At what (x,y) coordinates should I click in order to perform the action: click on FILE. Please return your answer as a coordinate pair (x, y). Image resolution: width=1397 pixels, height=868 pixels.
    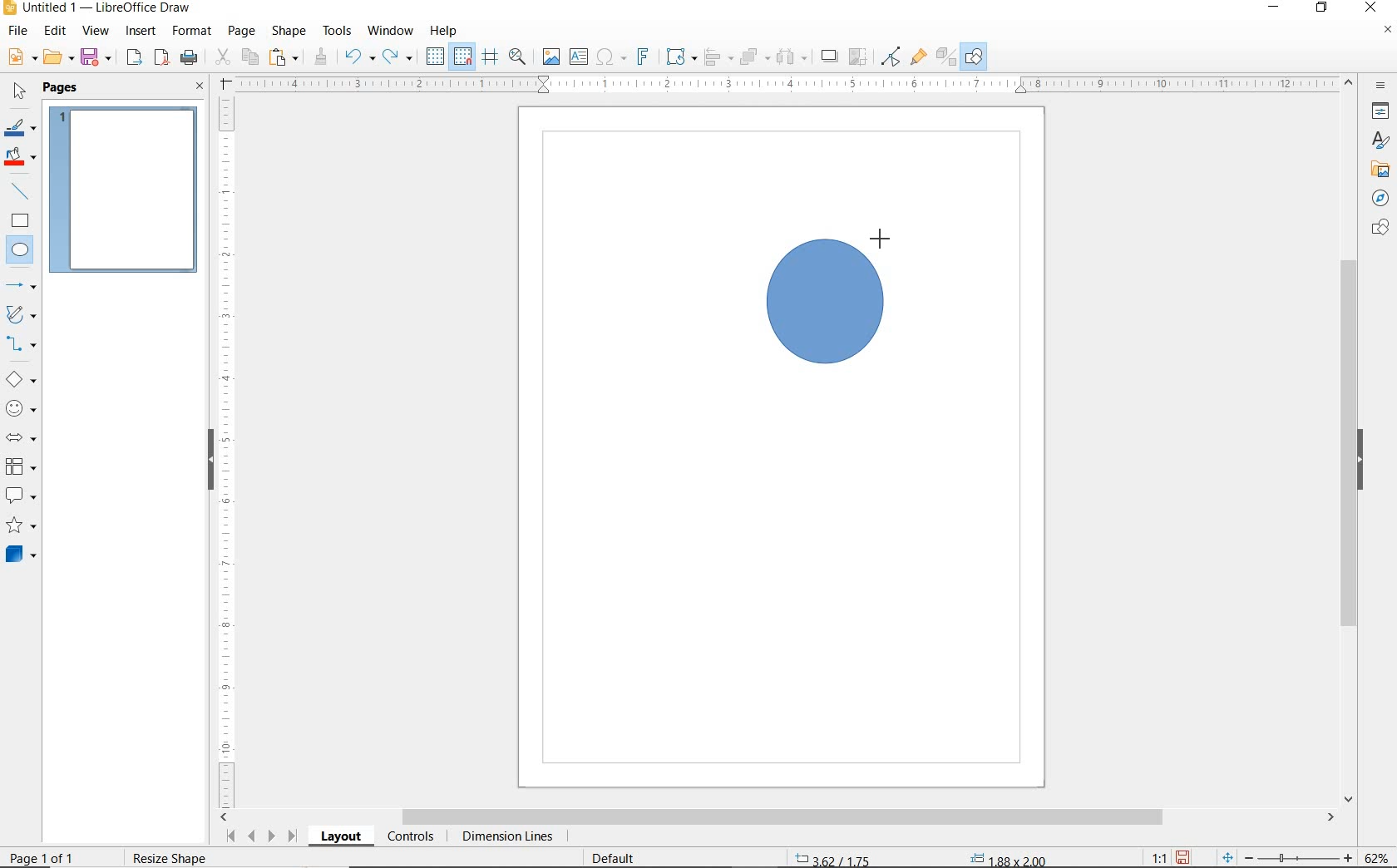
    Looking at the image, I should click on (19, 33).